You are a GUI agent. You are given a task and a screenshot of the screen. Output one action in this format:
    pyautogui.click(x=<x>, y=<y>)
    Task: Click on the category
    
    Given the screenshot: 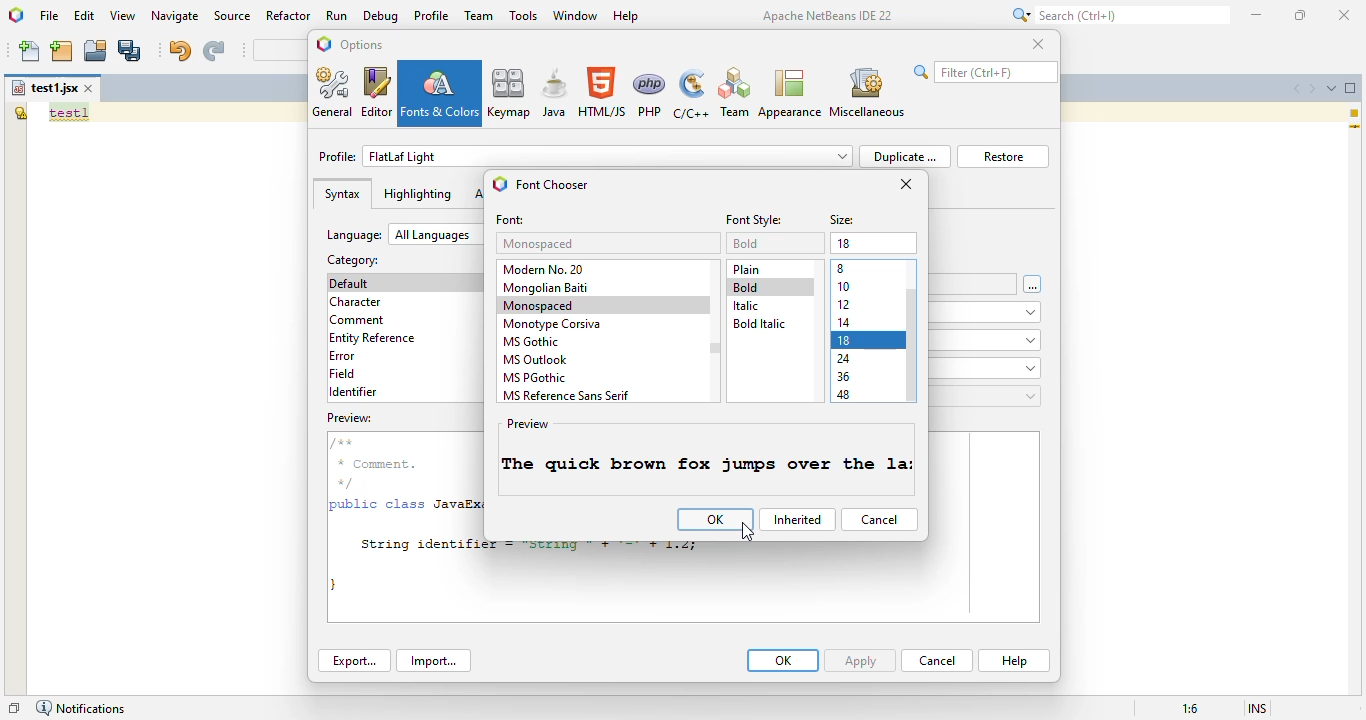 What is the action you would take?
    pyautogui.click(x=353, y=259)
    